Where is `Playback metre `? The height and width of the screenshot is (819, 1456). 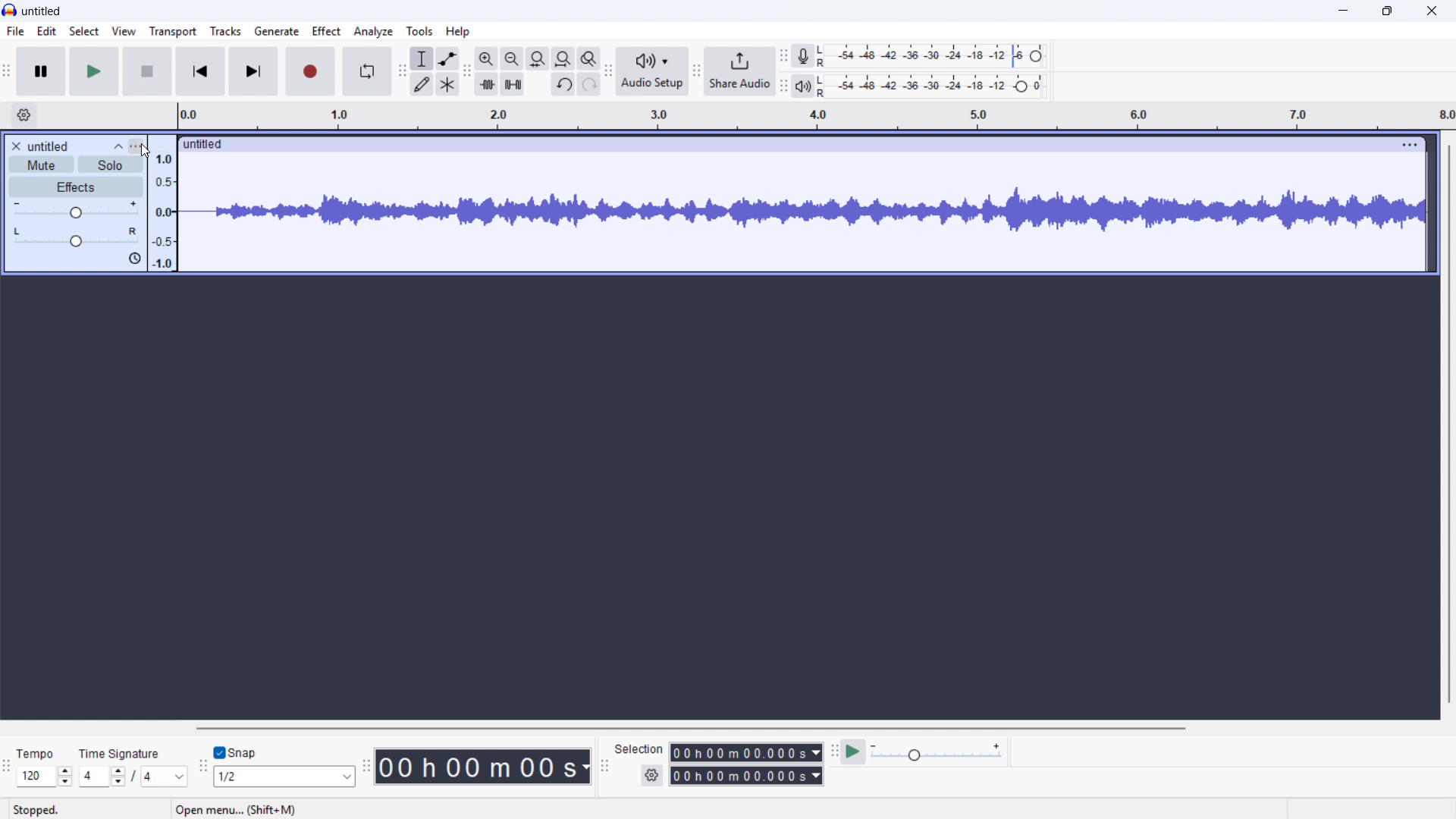
Playback metre  is located at coordinates (803, 87).